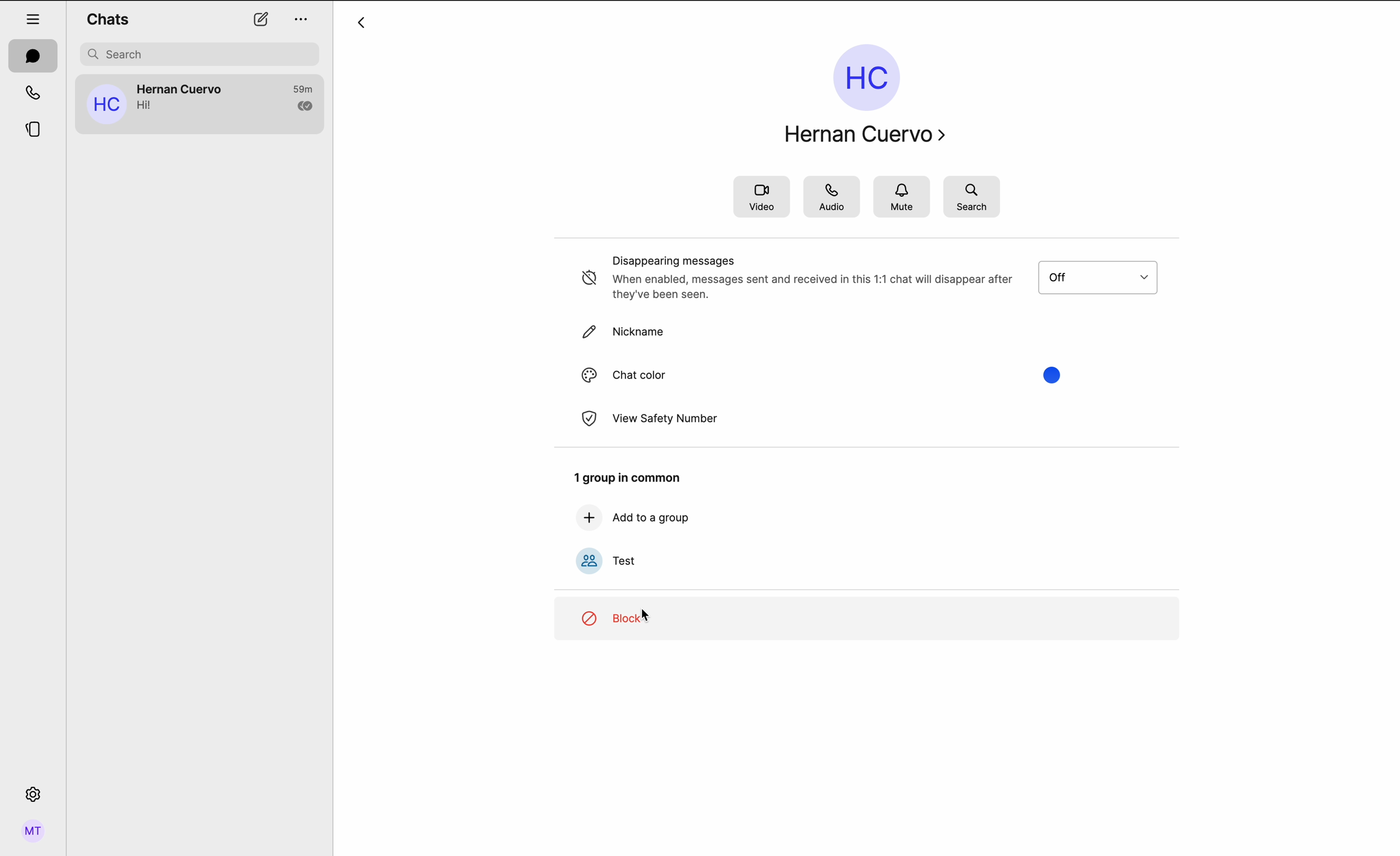 This screenshot has height=856, width=1400. I want to click on new chat, so click(261, 20).